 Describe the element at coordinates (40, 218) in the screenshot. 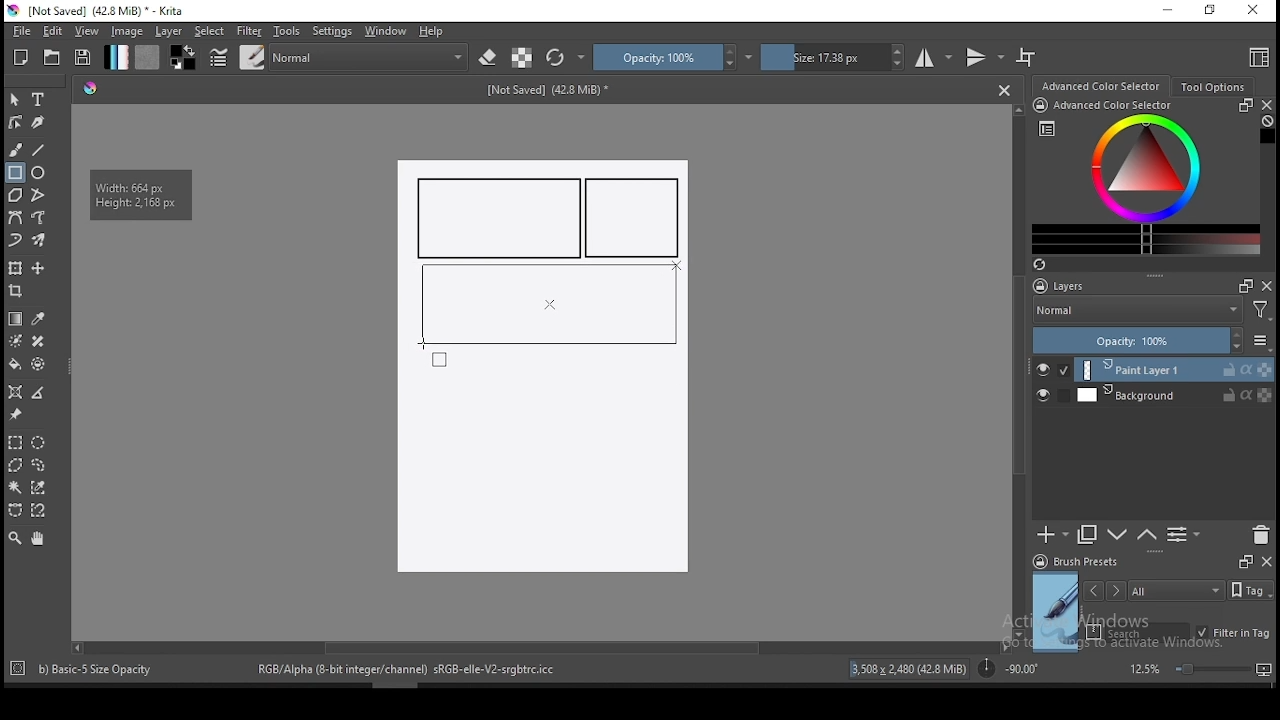

I see `freehand path tool` at that location.